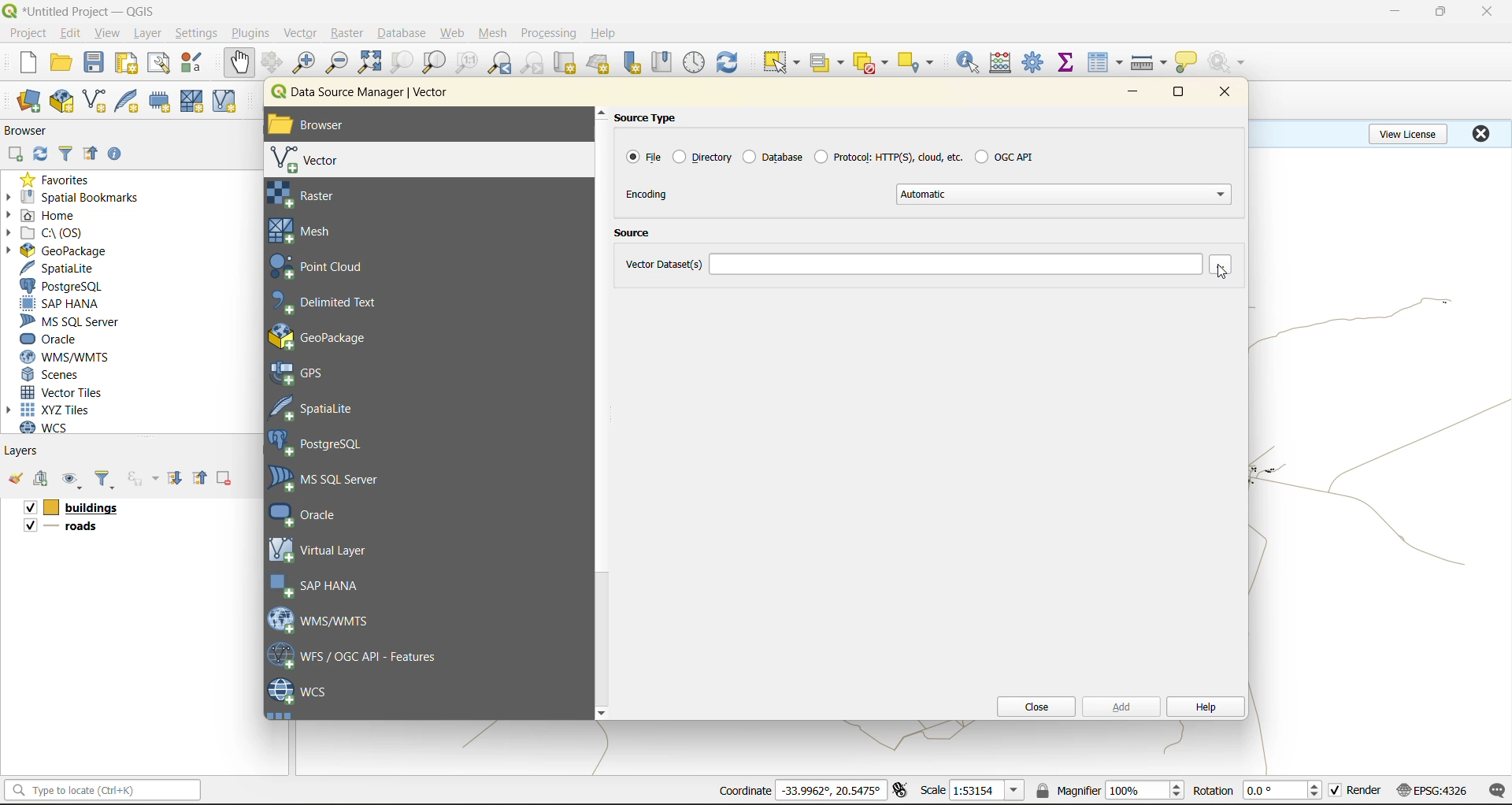 The width and height of the screenshot is (1512, 805). Describe the element at coordinates (888, 155) in the screenshot. I see `protocol:https` at that location.